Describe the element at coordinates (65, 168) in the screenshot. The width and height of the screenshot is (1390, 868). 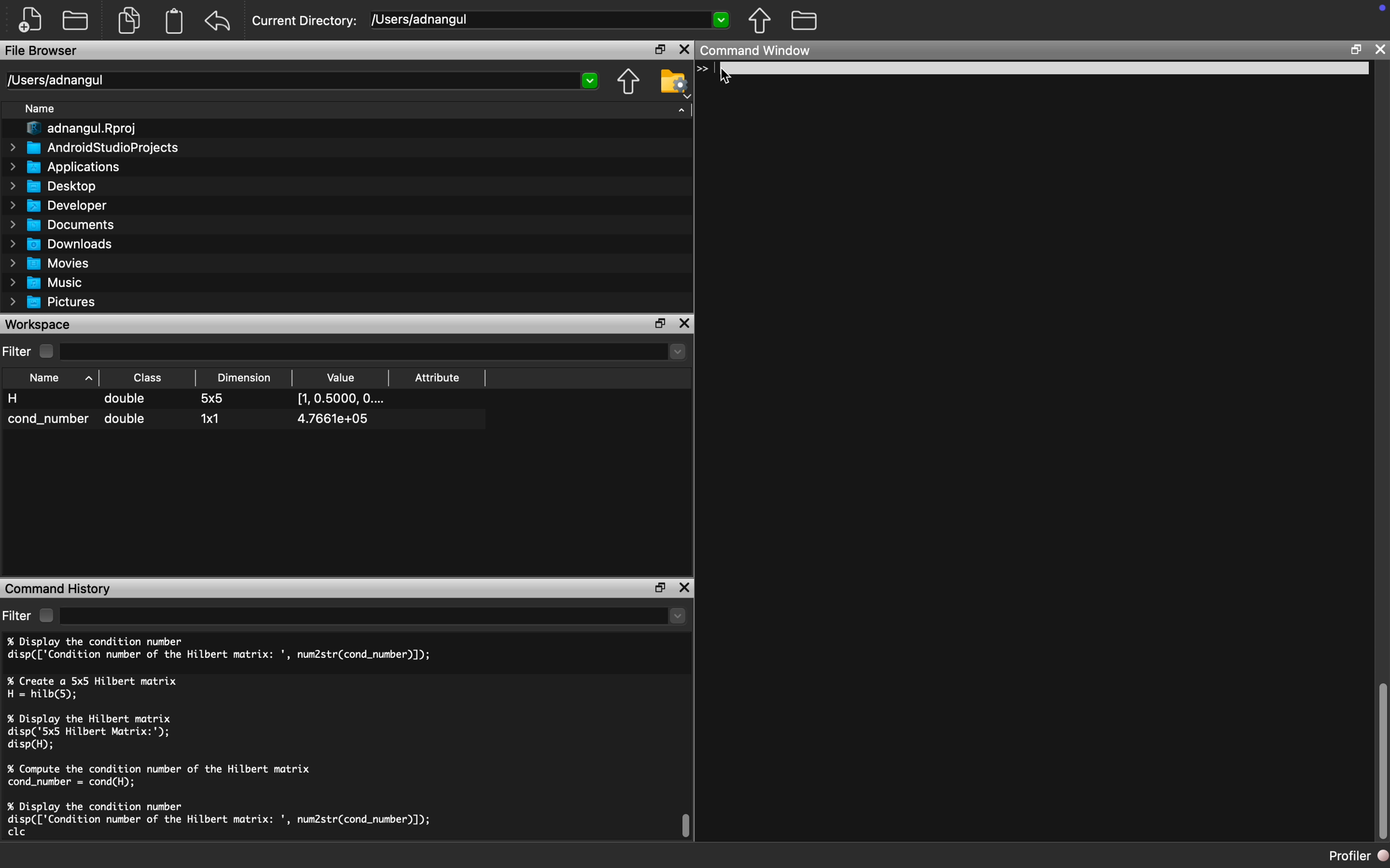
I see `Applications` at that location.